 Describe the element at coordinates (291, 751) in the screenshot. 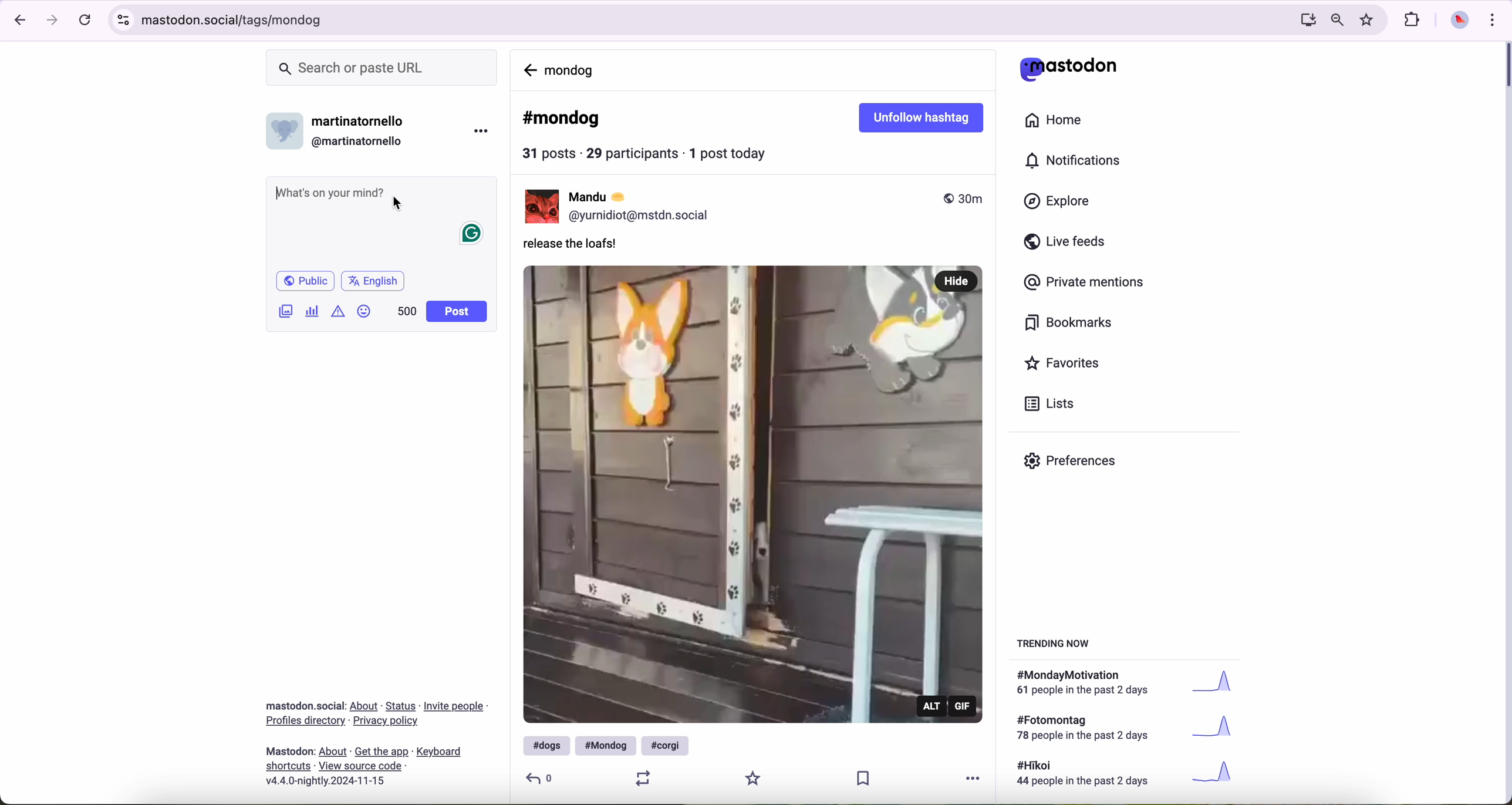

I see `mastodon` at that location.